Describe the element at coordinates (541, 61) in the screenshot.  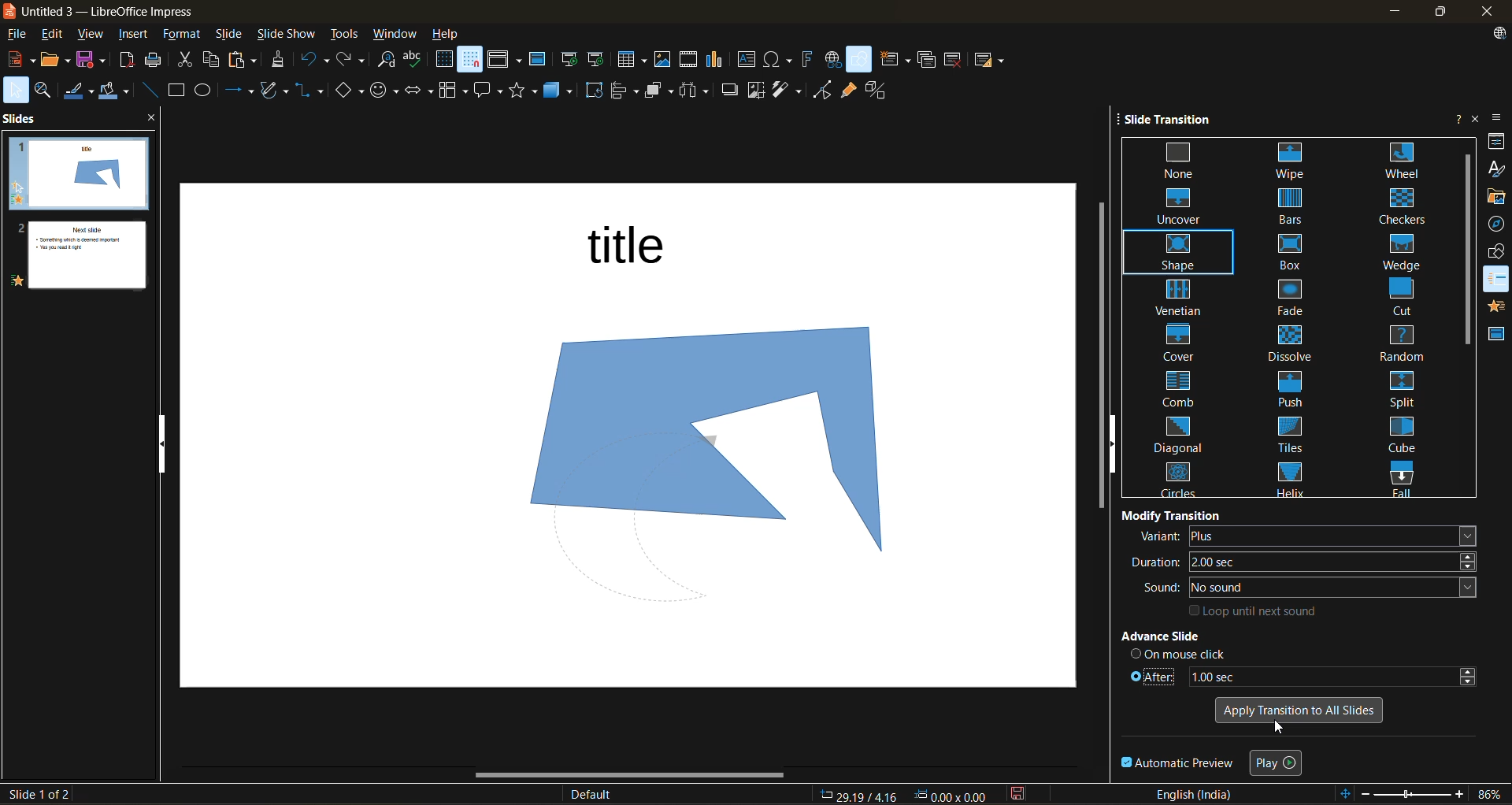
I see `master slide` at that location.